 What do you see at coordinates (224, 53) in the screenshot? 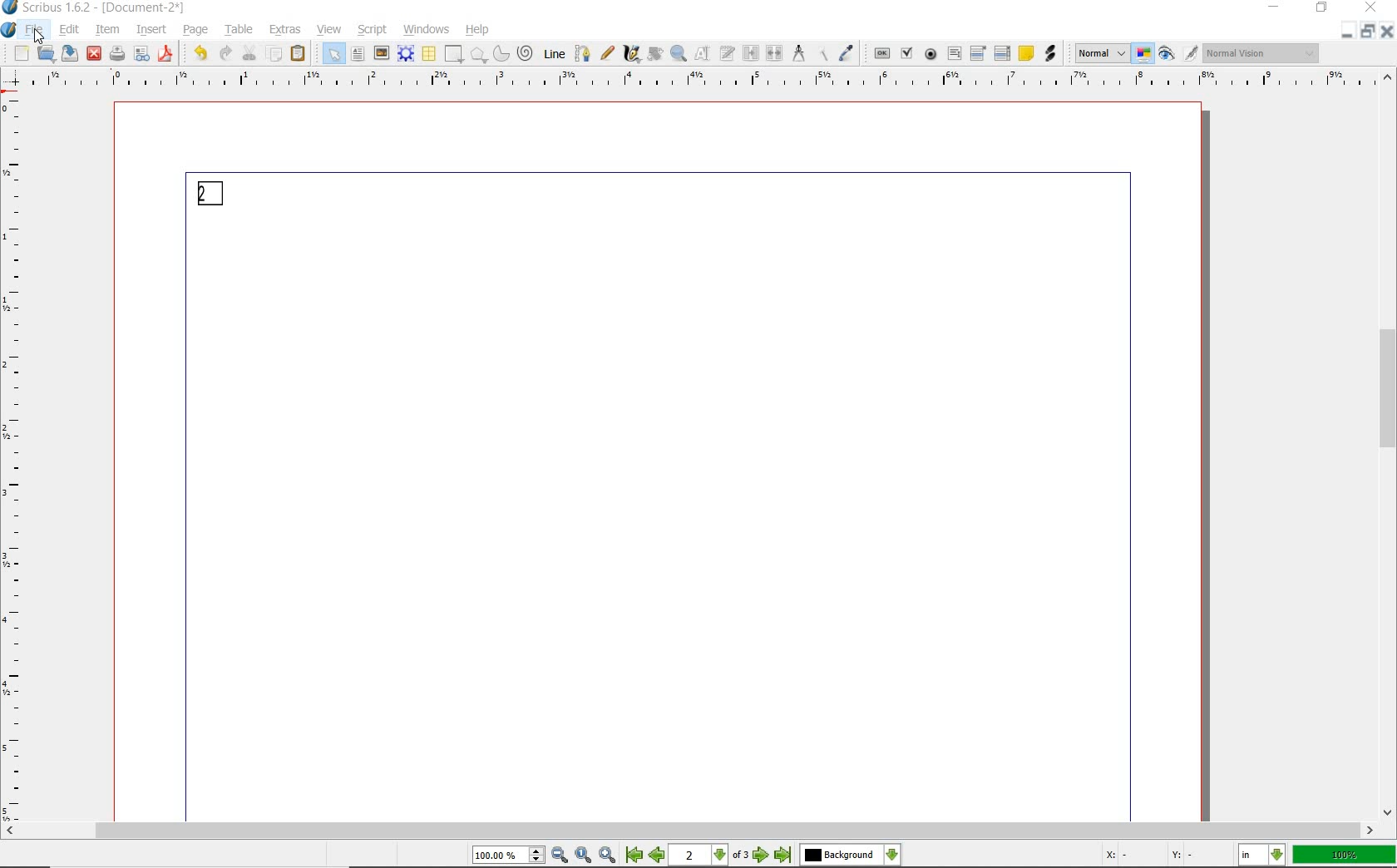
I see `redo` at bounding box center [224, 53].